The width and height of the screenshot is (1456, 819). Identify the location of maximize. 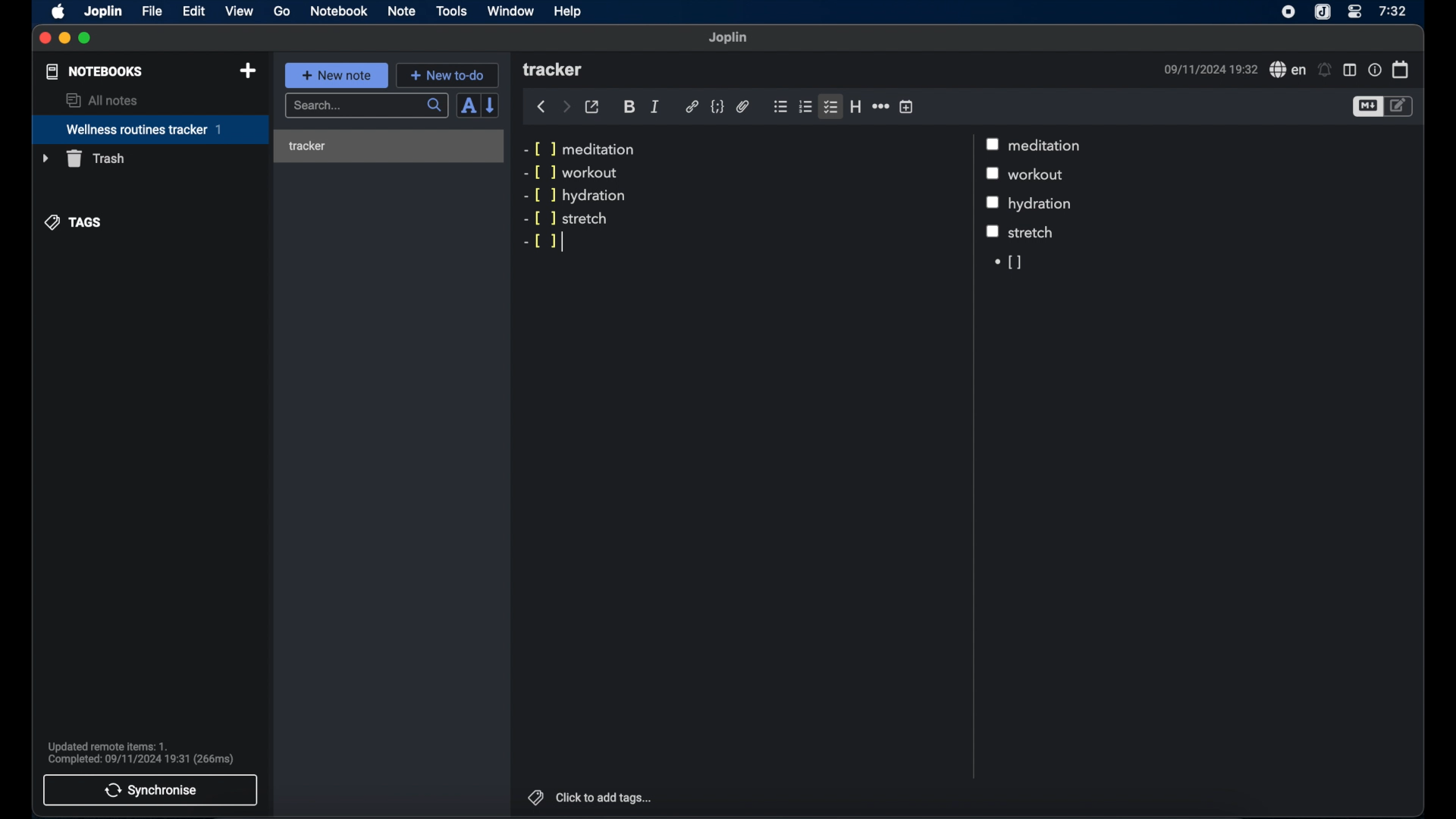
(86, 39).